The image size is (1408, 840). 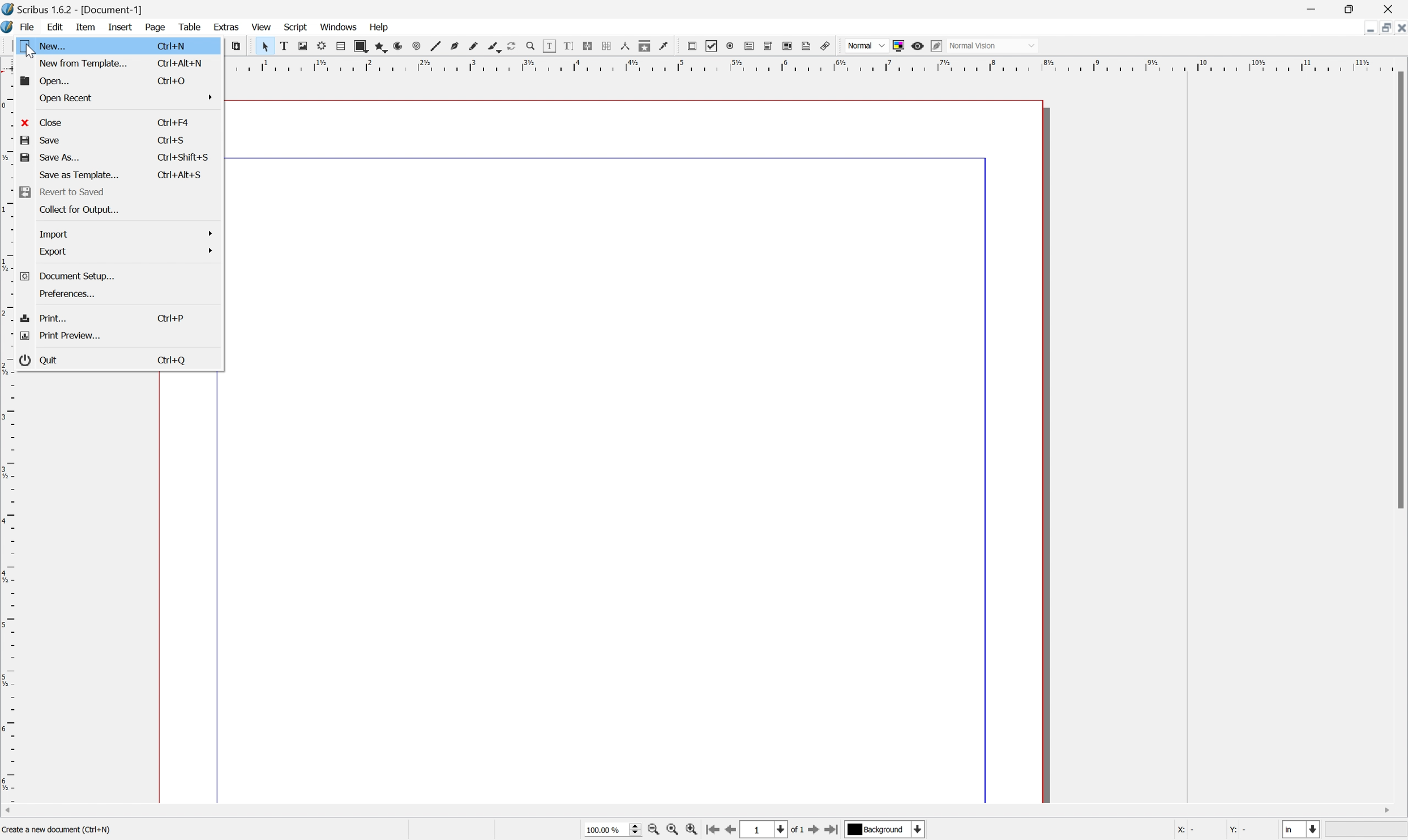 What do you see at coordinates (226, 28) in the screenshot?
I see `Extras` at bounding box center [226, 28].